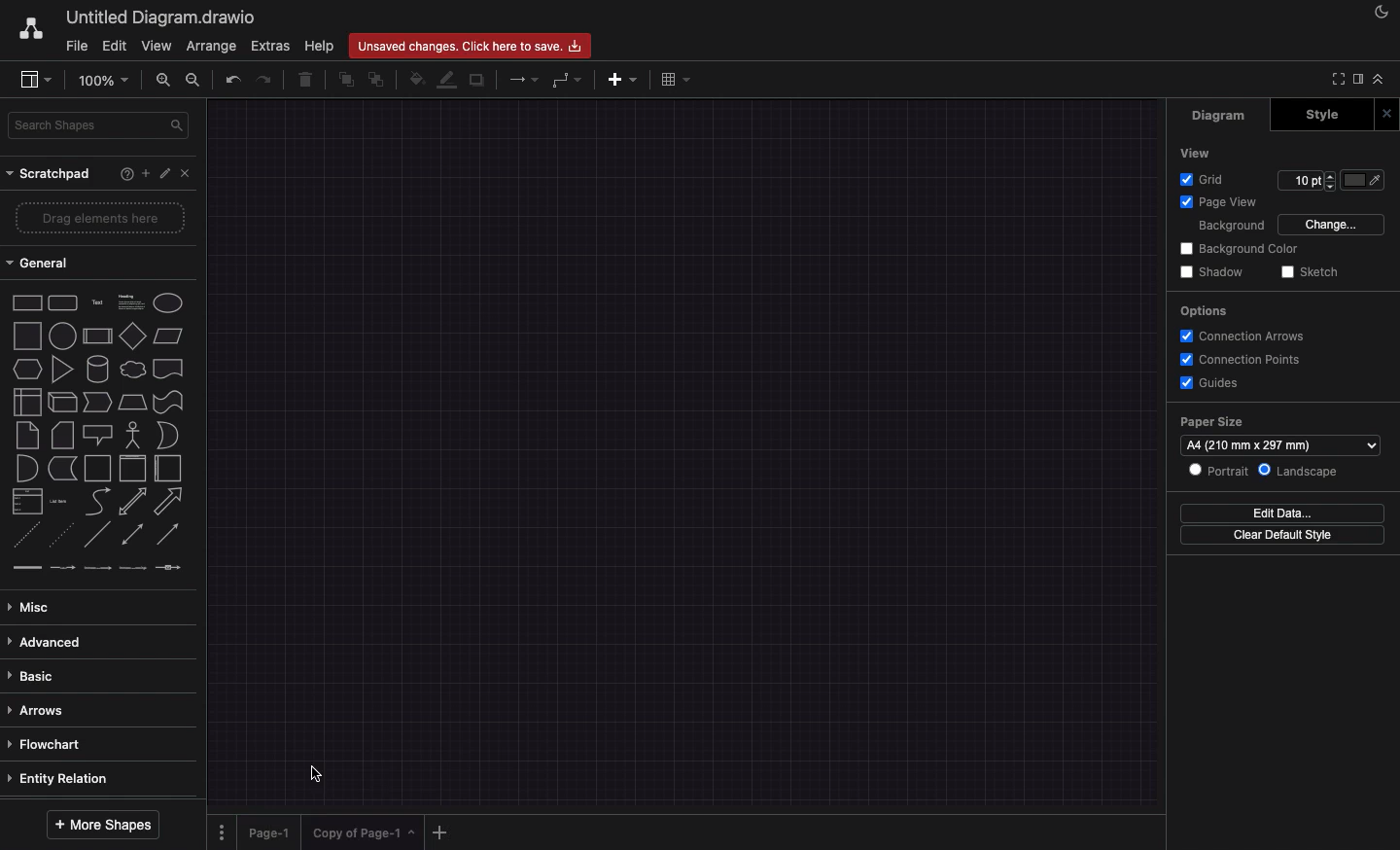  Describe the element at coordinates (316, 774) in the screenshot. I see `Cursor` at that location.